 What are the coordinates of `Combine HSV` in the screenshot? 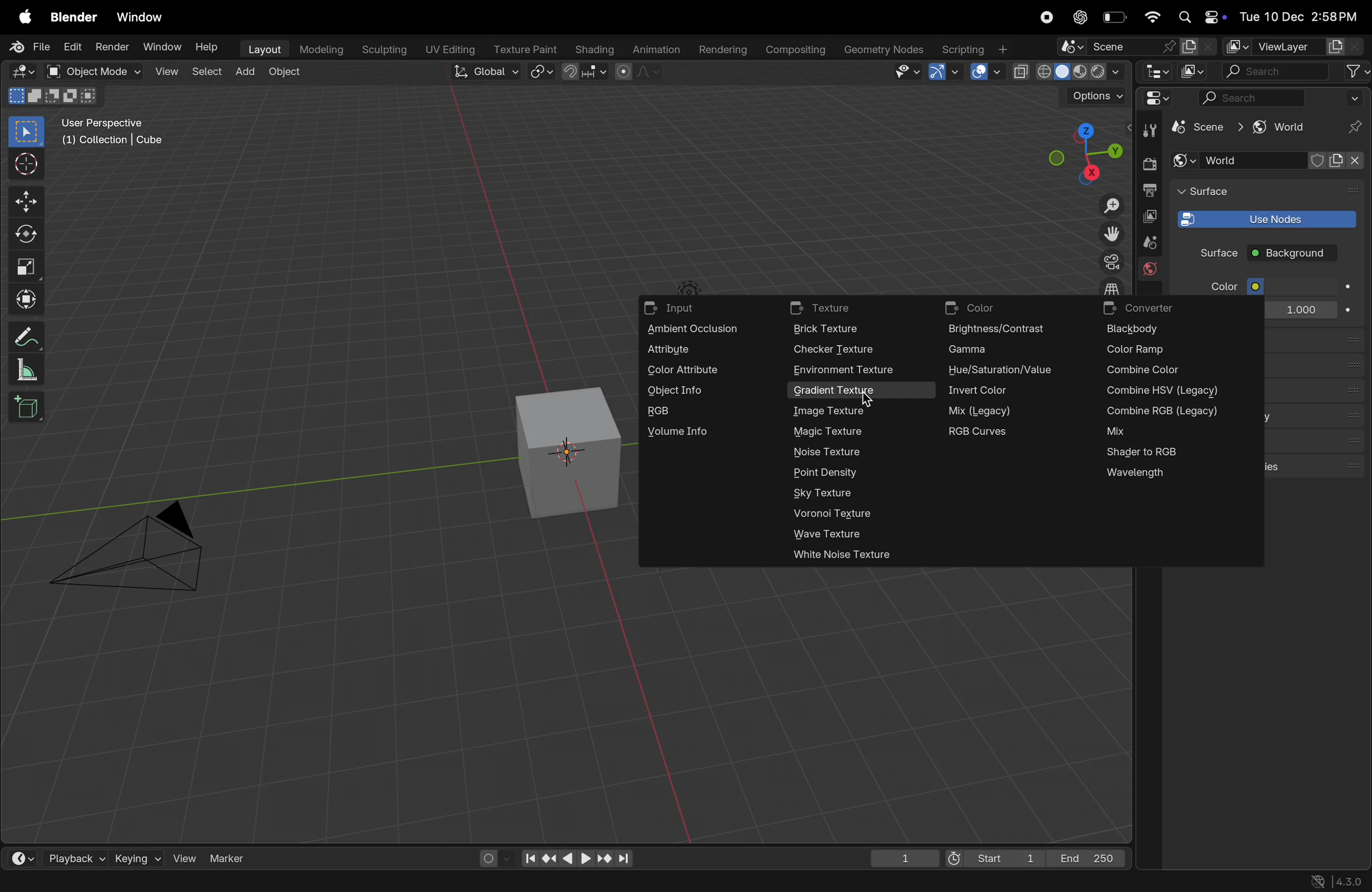 It's located at (1163, 392).